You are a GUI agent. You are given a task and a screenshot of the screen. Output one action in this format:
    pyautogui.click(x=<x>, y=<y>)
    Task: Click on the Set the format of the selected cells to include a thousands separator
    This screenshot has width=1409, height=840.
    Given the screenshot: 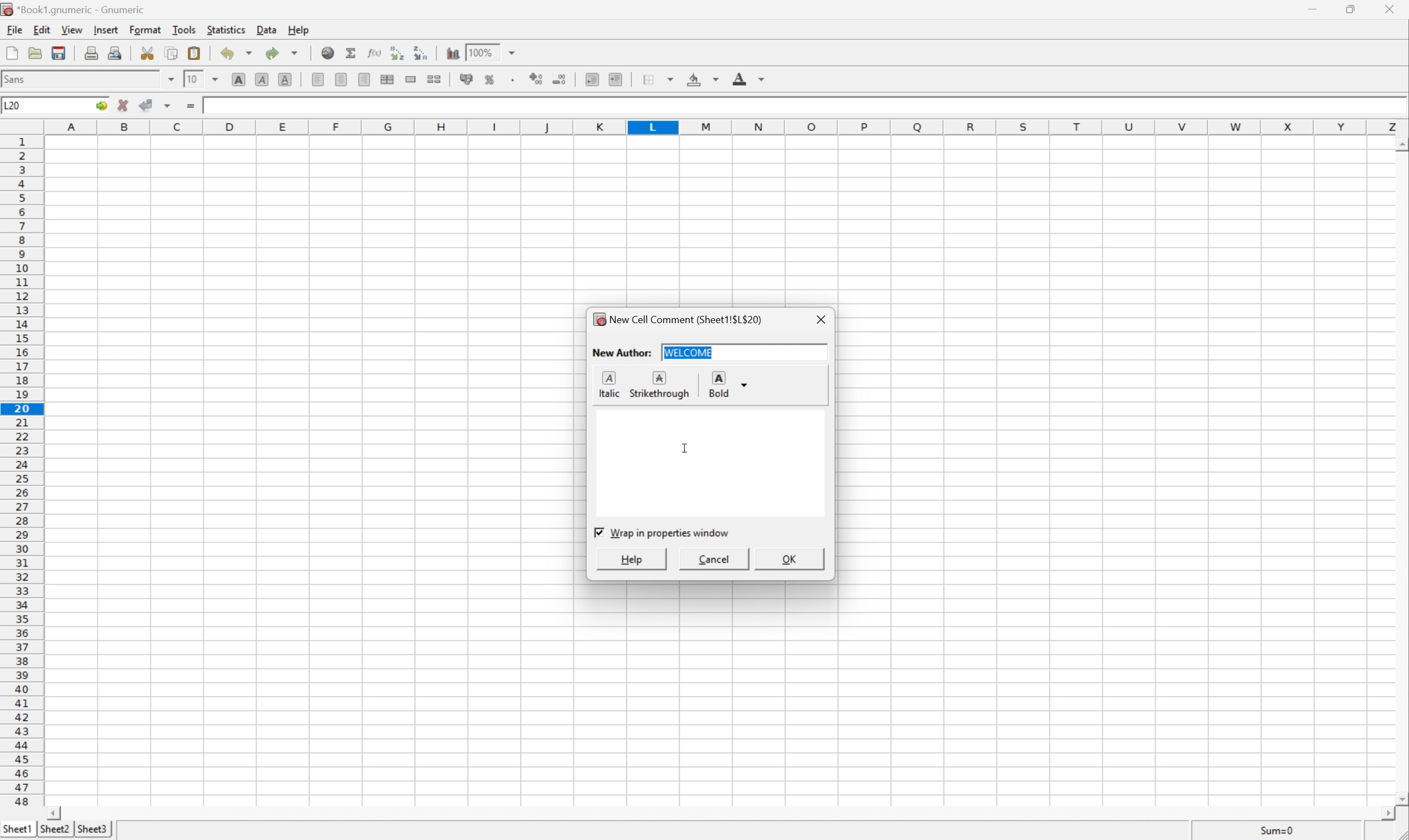 What is the action you would take?
    pyautogui.click(x=514, y=79)
    